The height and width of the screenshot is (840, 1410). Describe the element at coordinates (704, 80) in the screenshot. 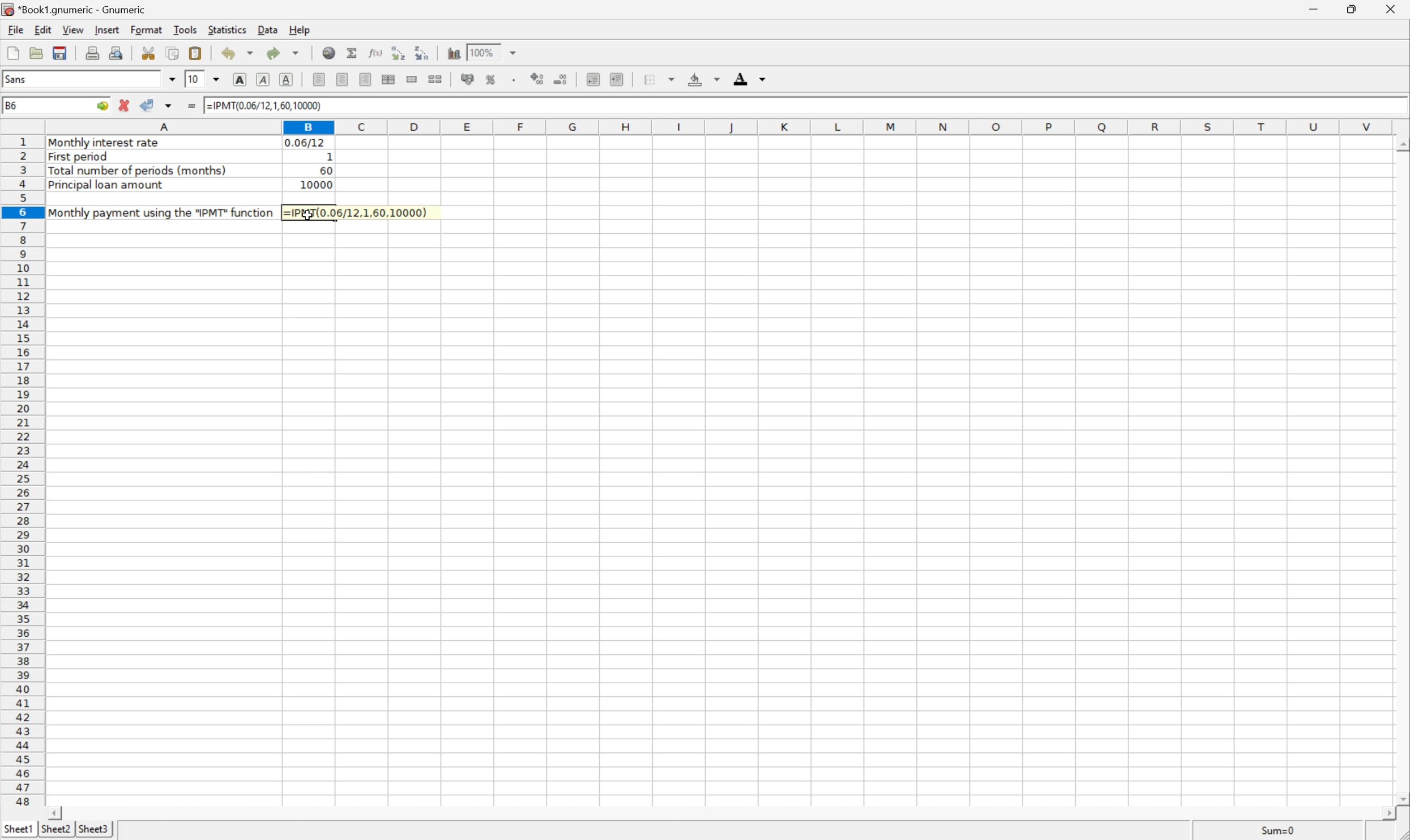

I see `Background` at that location.